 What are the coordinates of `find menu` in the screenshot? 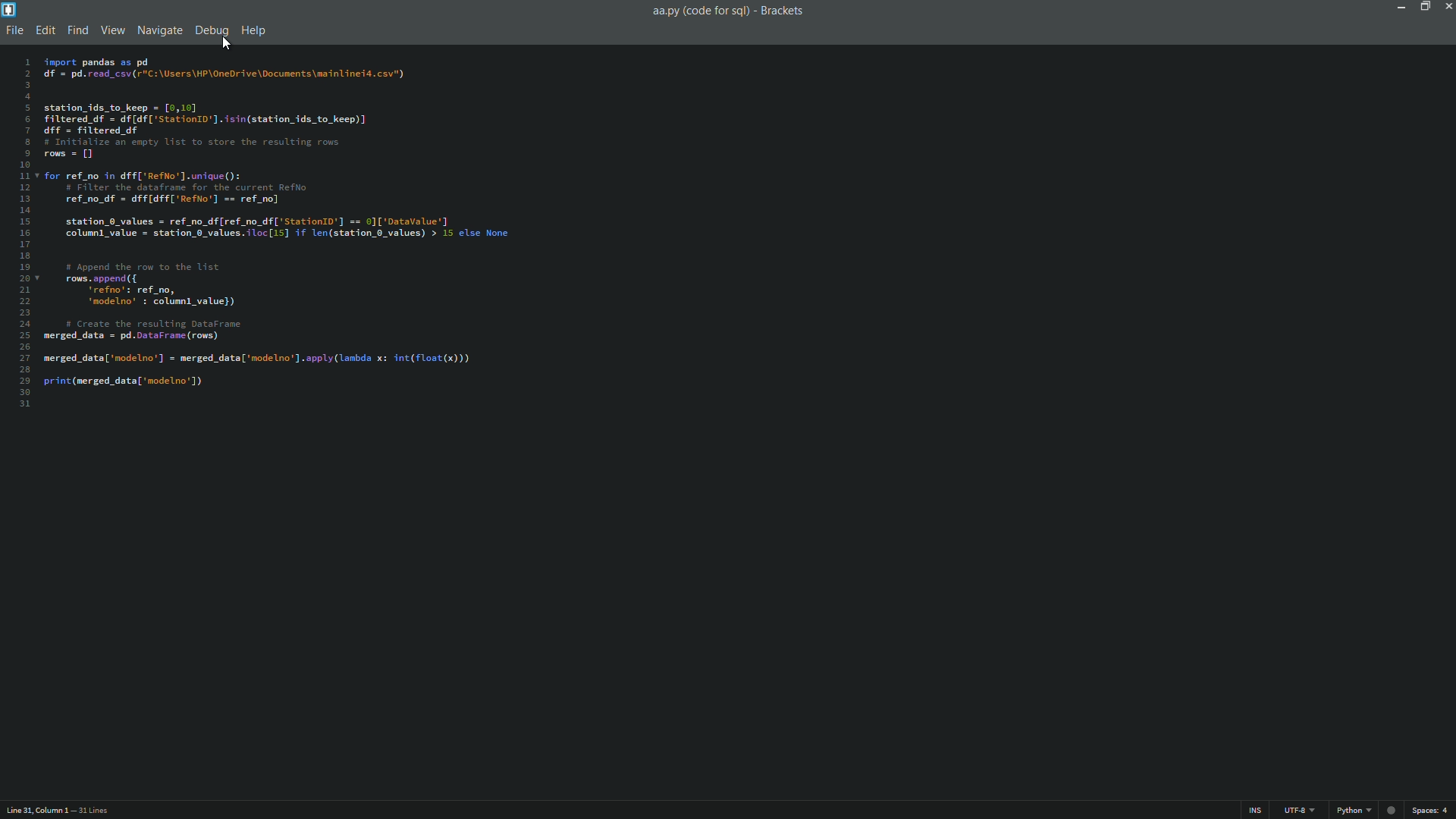 It's located at (78, 31).